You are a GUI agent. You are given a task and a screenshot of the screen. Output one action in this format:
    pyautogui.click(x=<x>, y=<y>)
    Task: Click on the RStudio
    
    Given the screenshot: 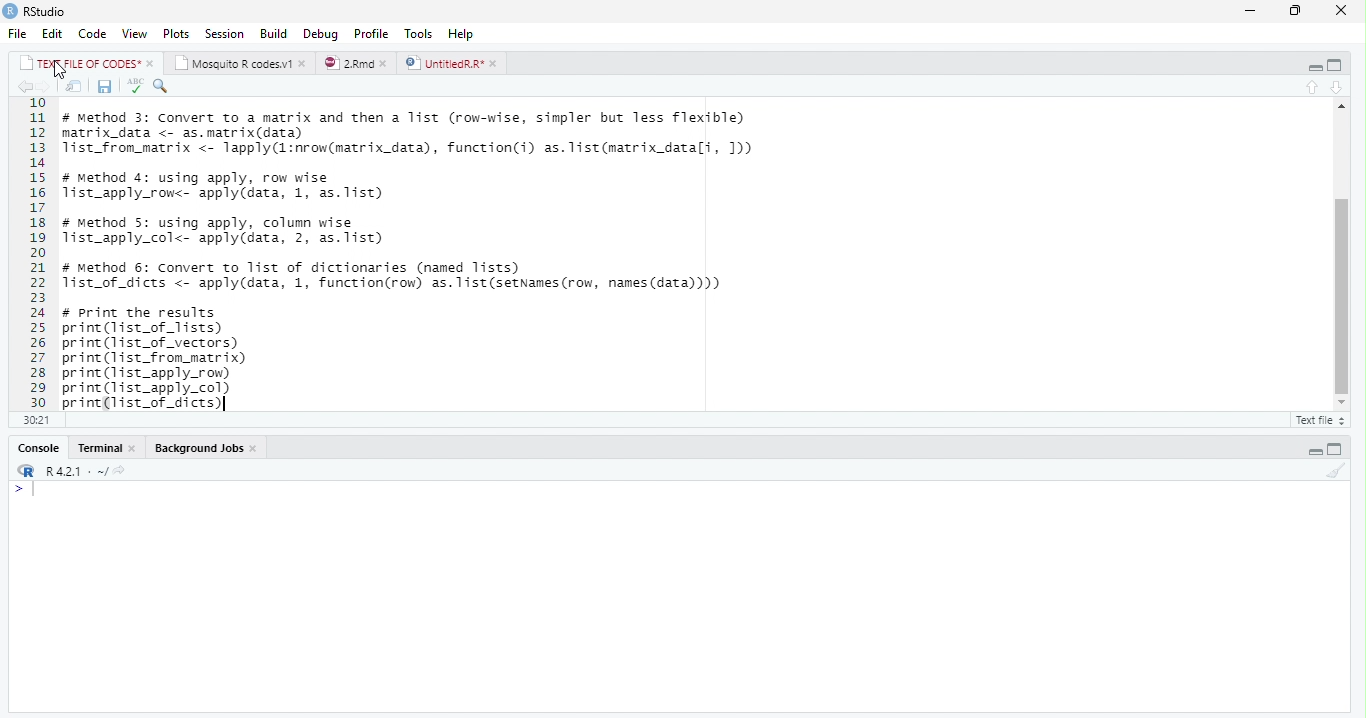 What is the action you would take?
    pyautogui.click(x=36, y=11)
    